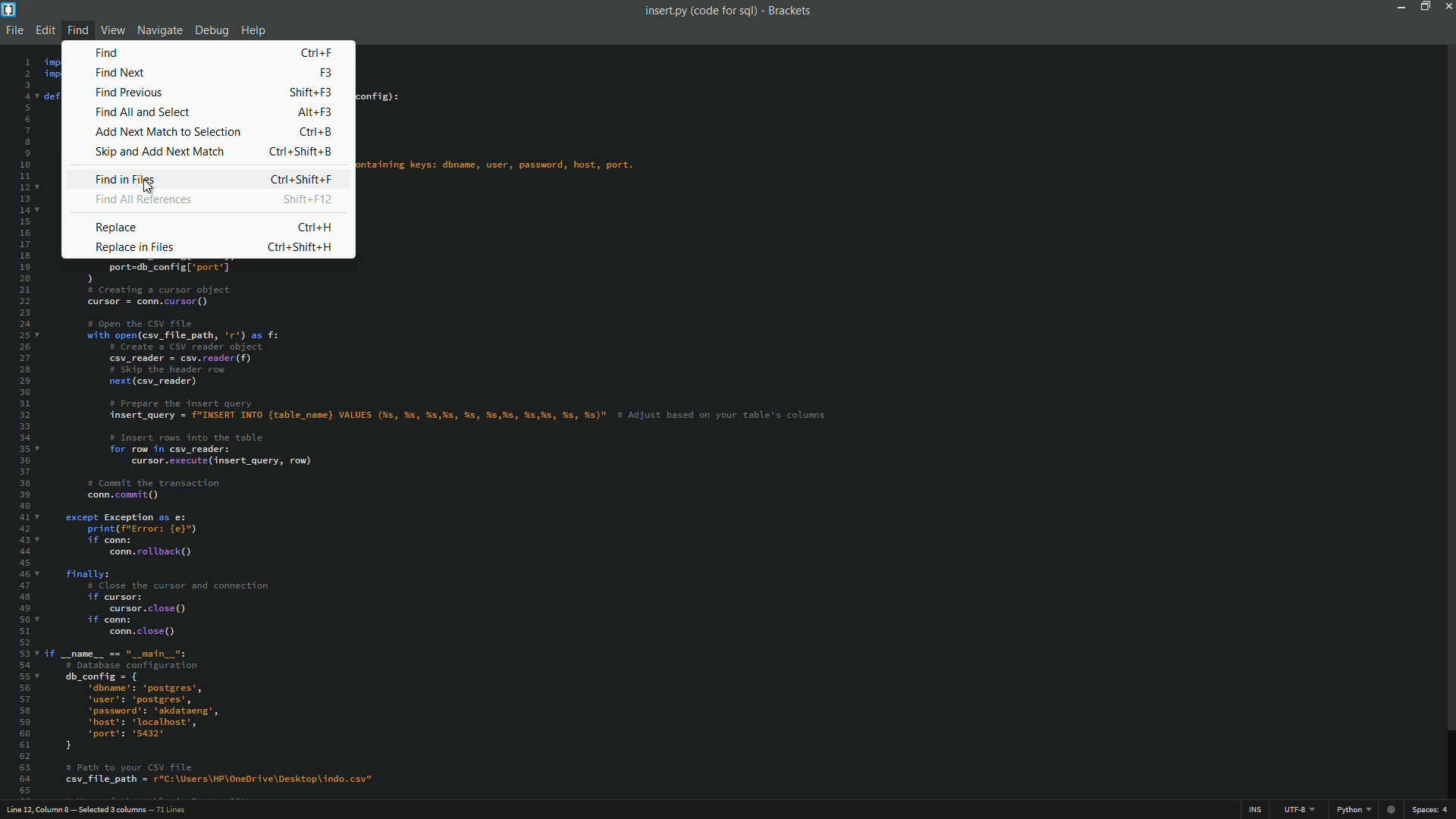  I want to click on web, so click(1393, 807).